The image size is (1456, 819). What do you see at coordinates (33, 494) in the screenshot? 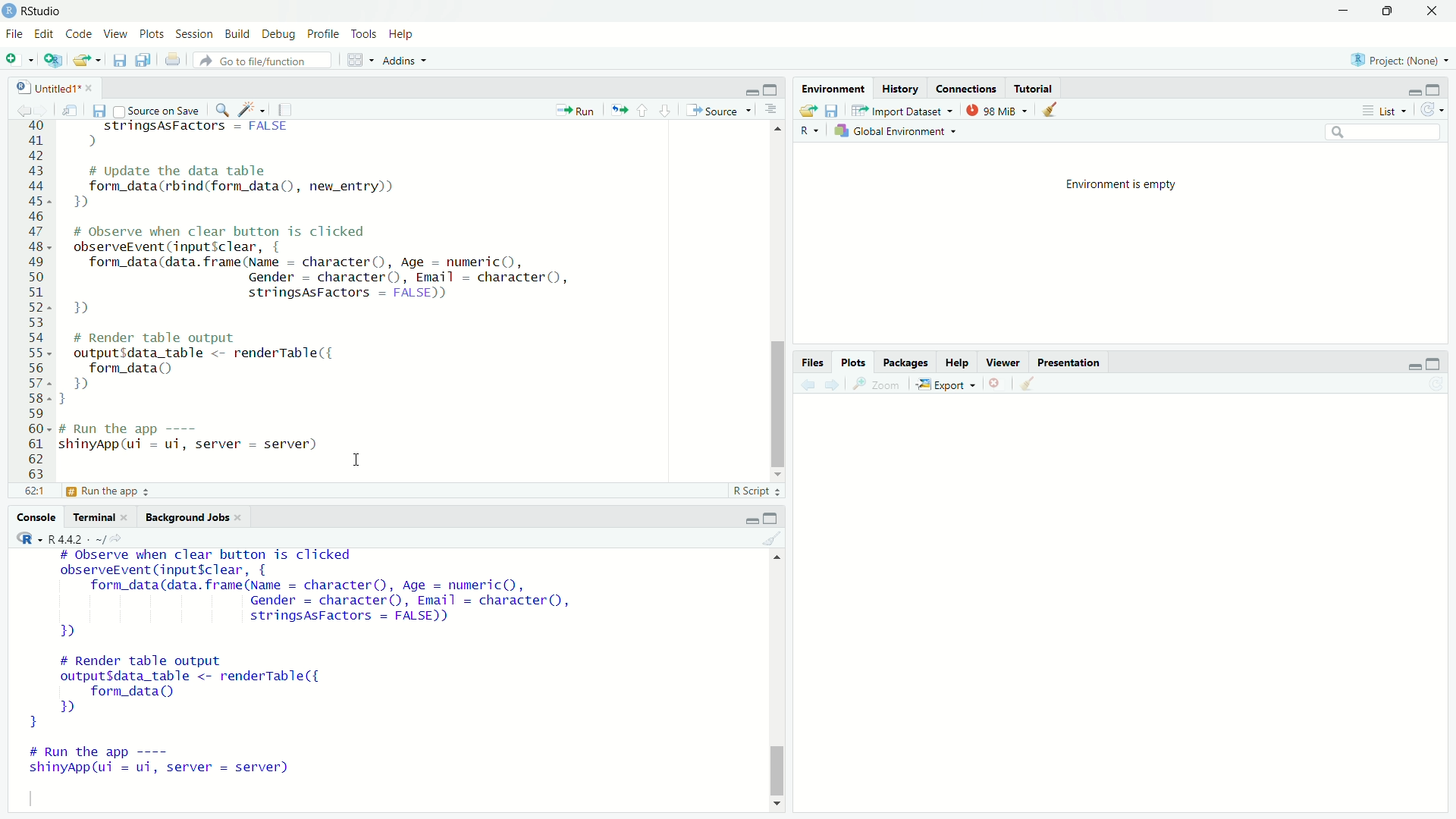
I see `59:1` at bounding box center [33, 494].